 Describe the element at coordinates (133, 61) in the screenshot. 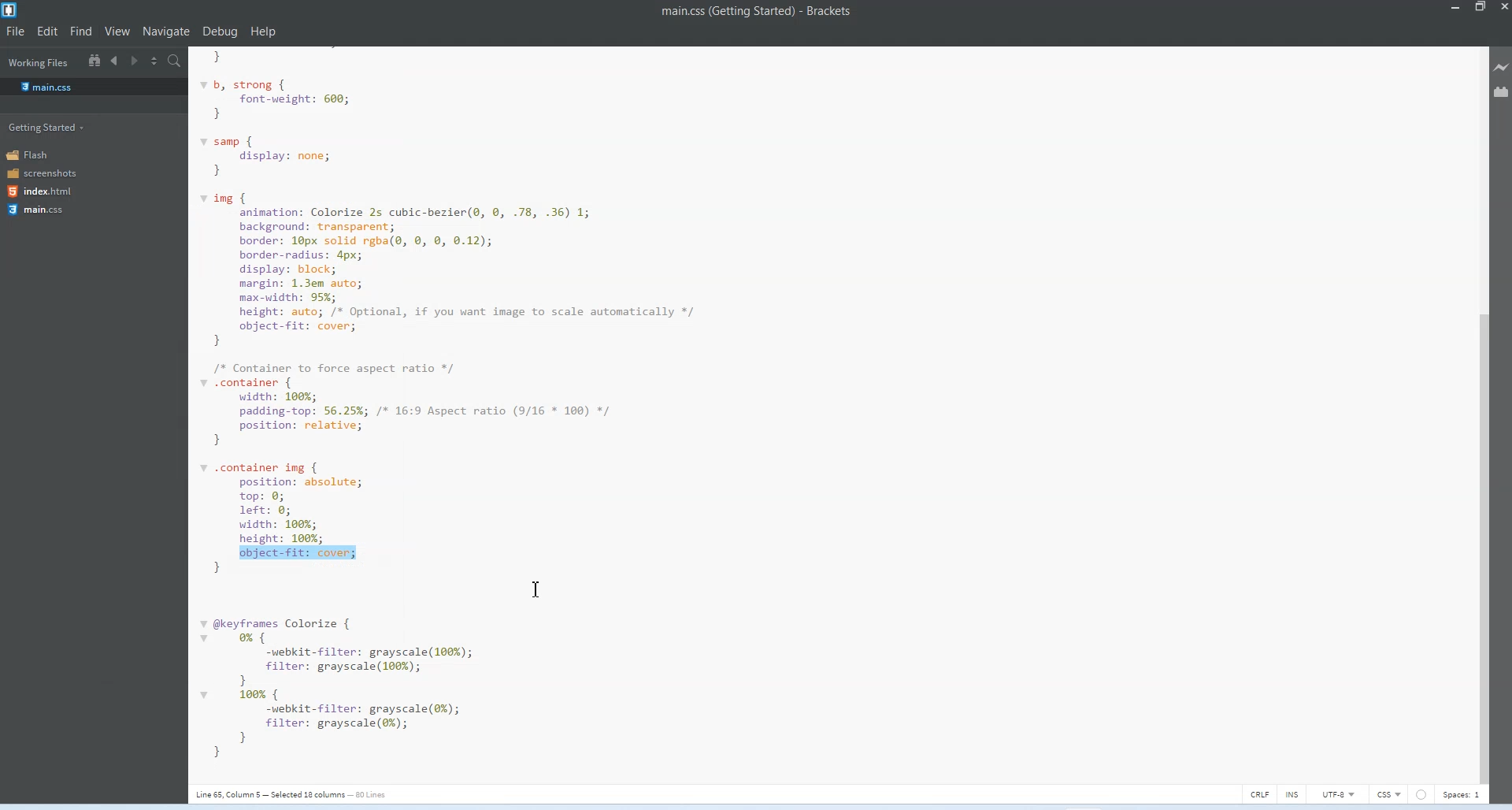

I see `Navigate Forwards` at that location.